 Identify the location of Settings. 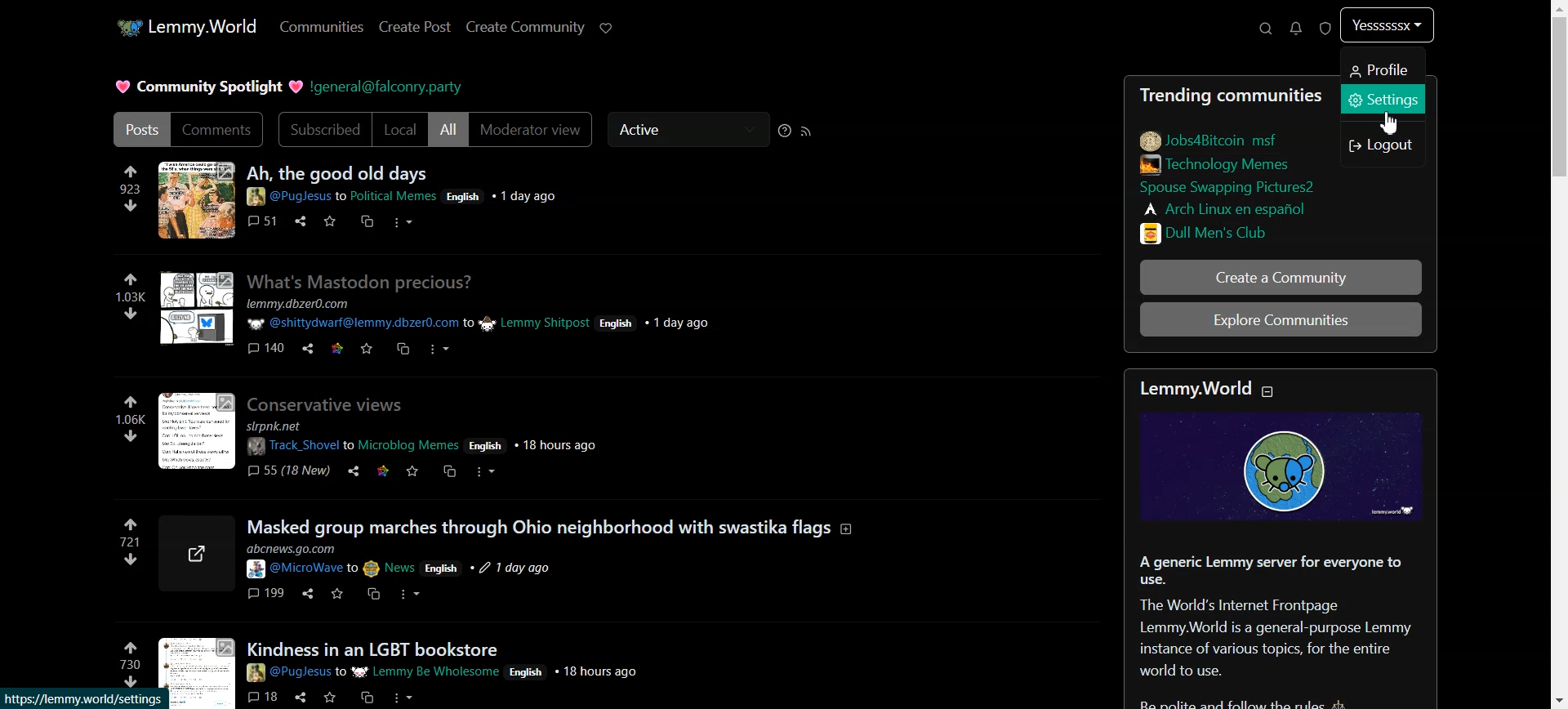
(1384, 99).